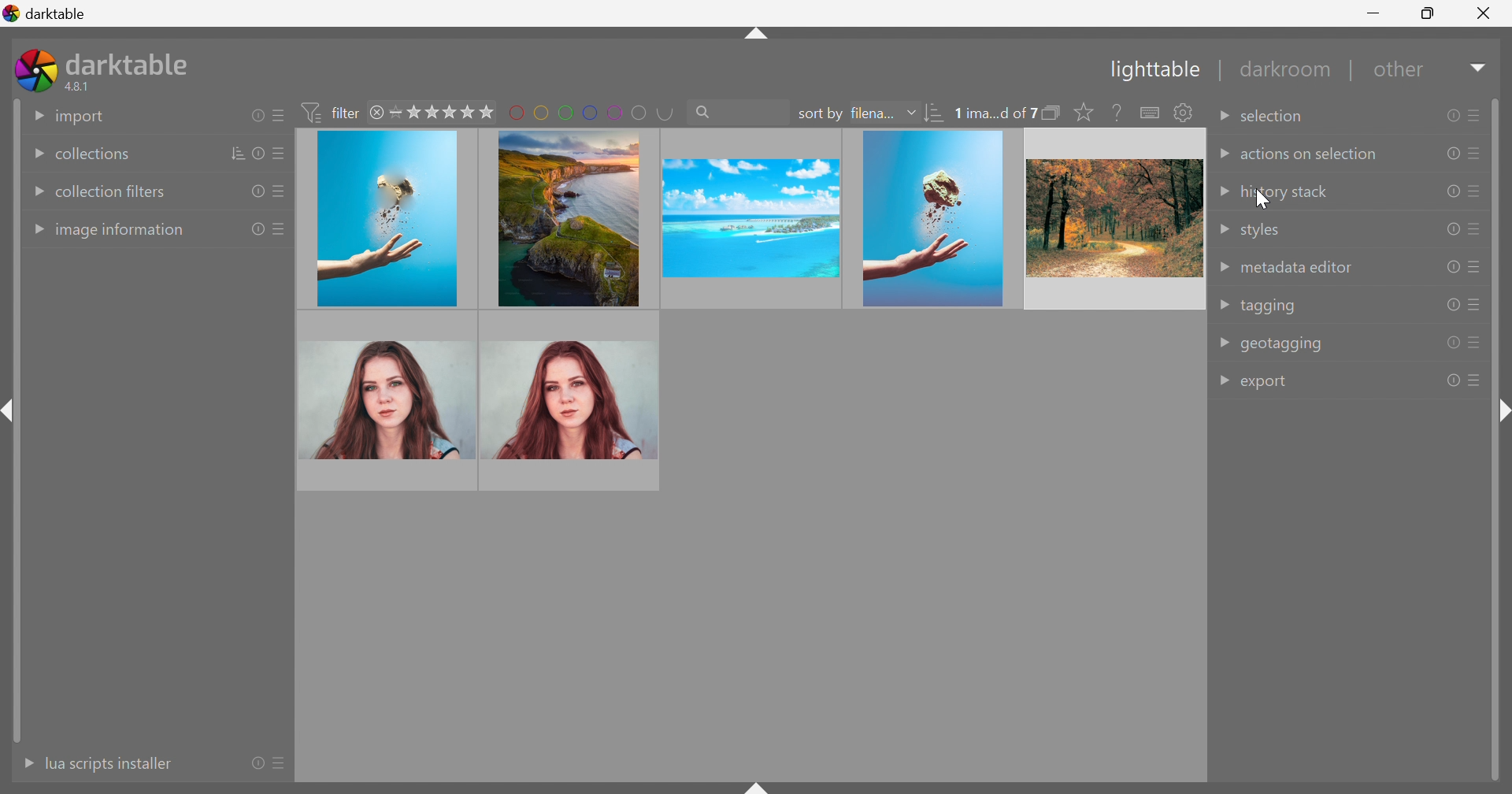 The image size is (1512, 794). I want to click on styles, so click(1263, 232).